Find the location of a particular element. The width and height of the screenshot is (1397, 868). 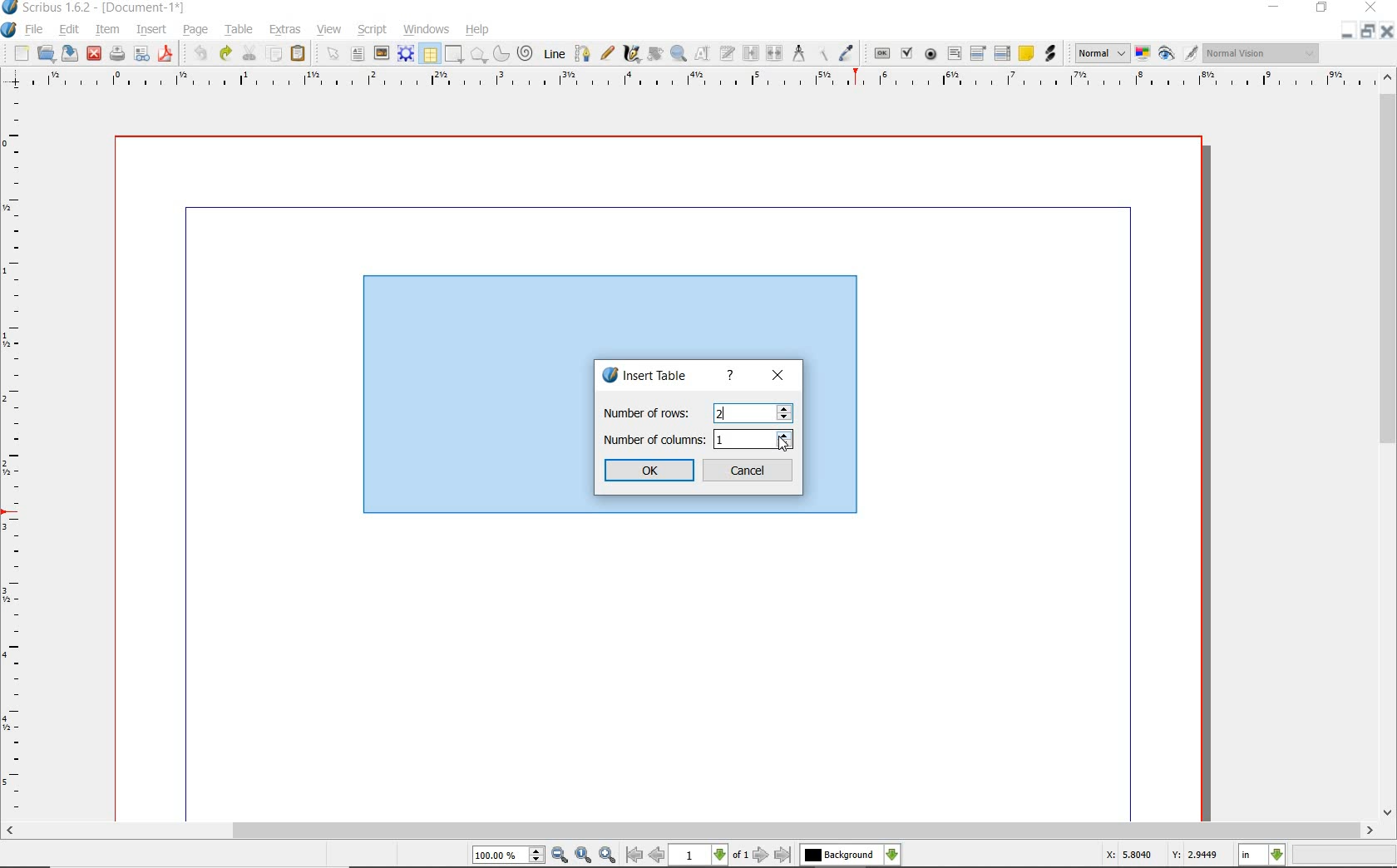

view  is located at coordinates (332, 30).